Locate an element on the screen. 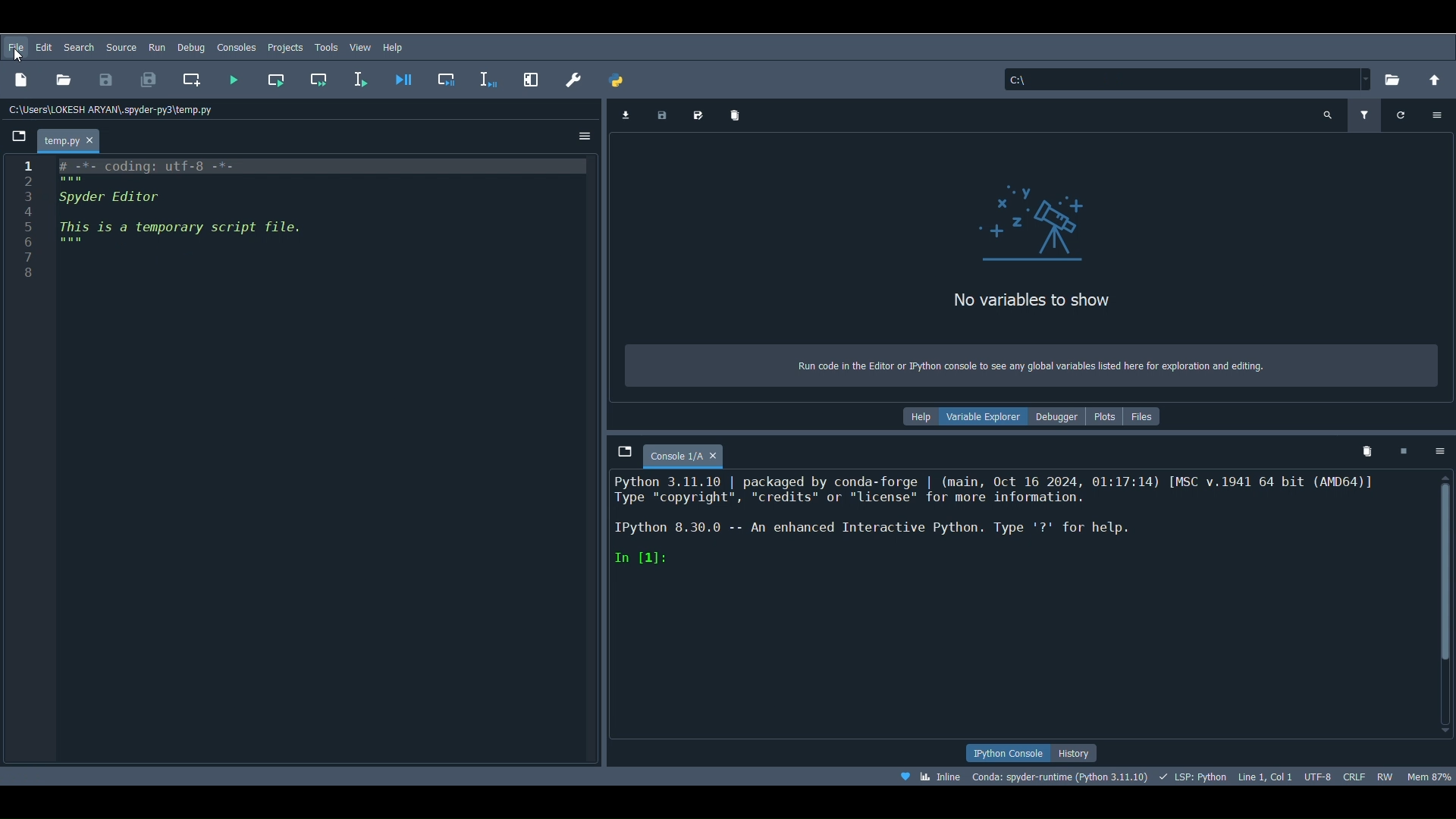  Debug cell is located at coordinates (449, 76).